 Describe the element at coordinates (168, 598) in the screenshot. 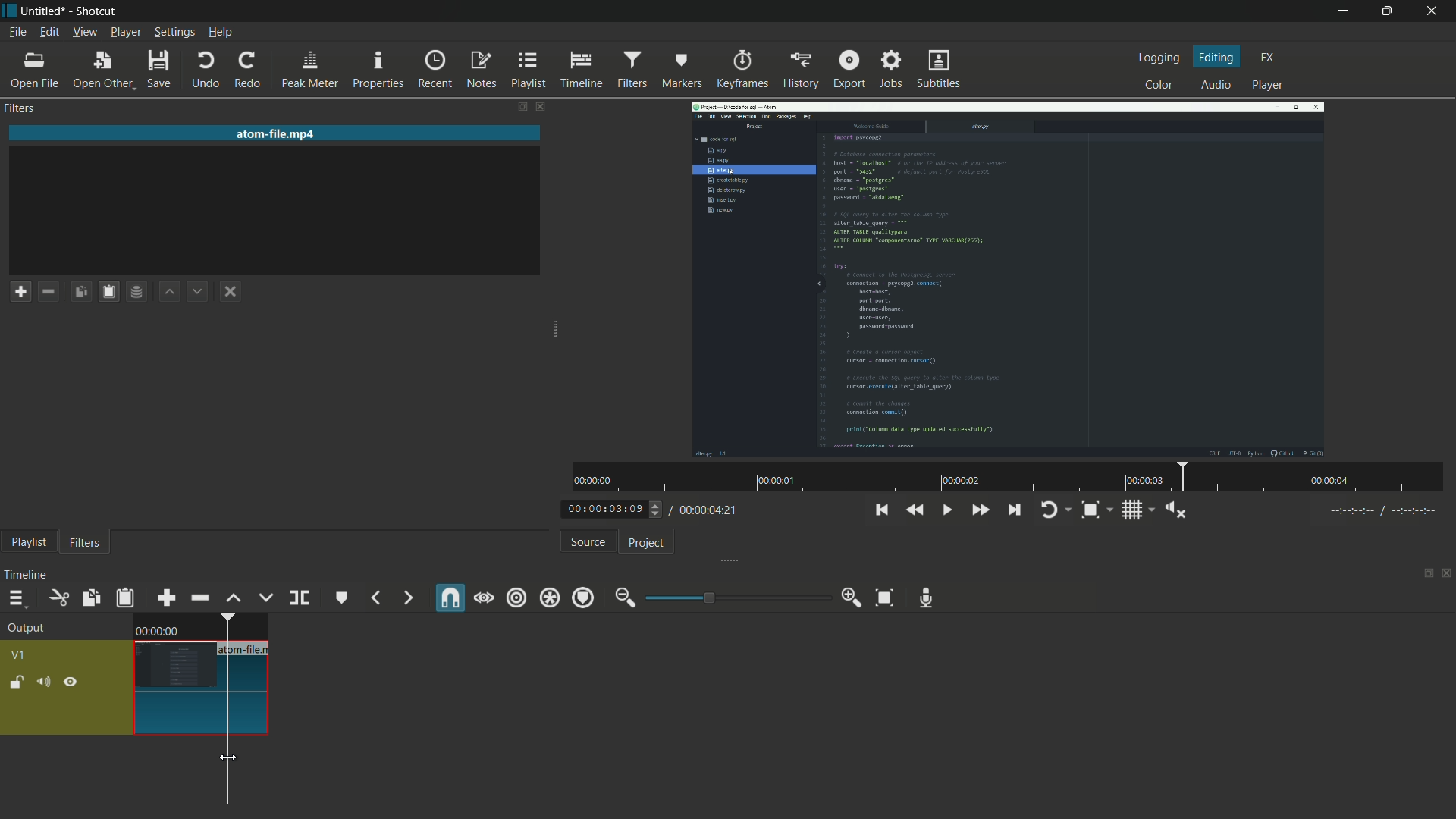

I see `append` at that location.